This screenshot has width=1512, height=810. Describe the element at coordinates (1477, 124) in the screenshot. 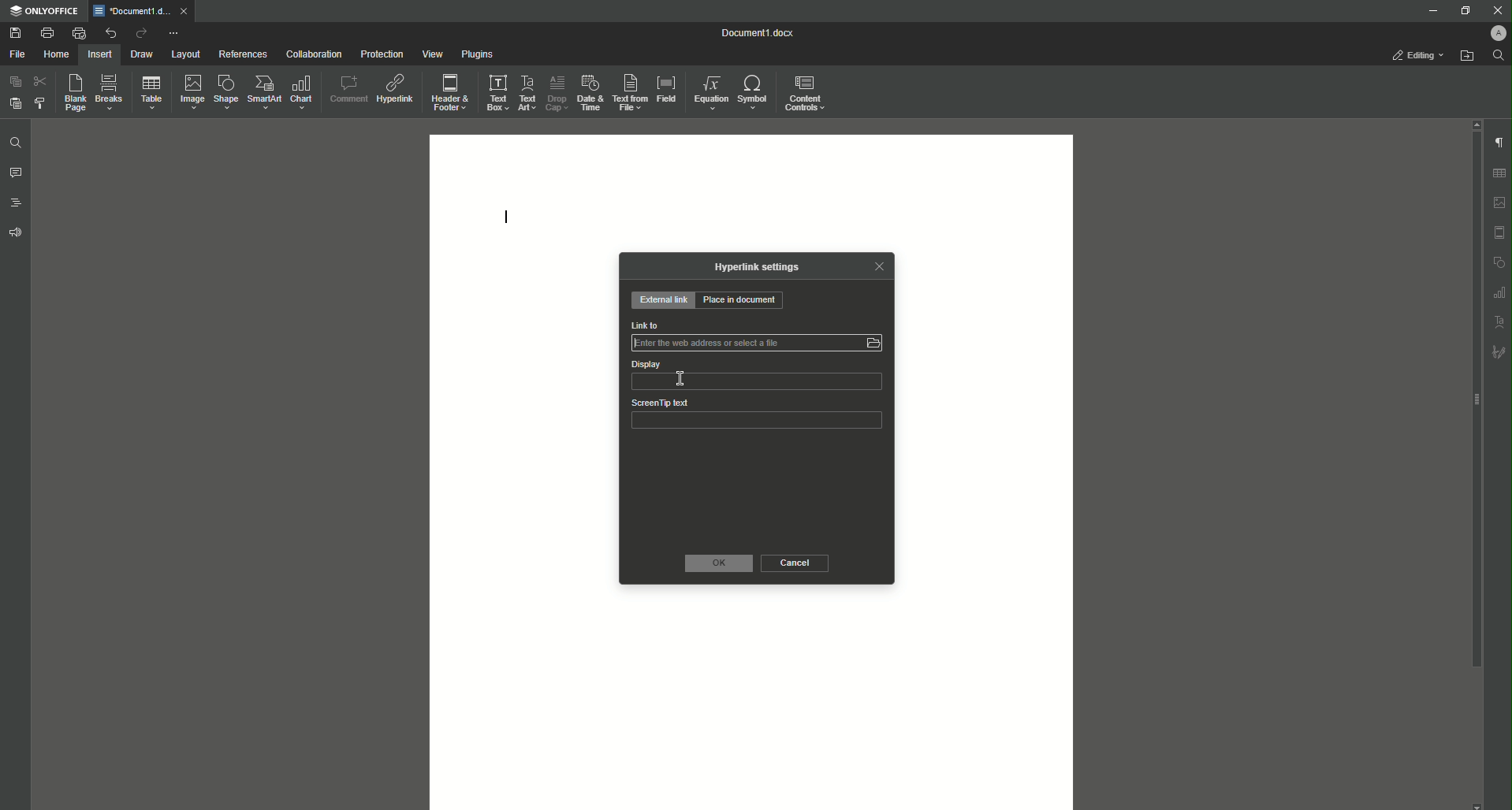

I see `scroll up` at that location.